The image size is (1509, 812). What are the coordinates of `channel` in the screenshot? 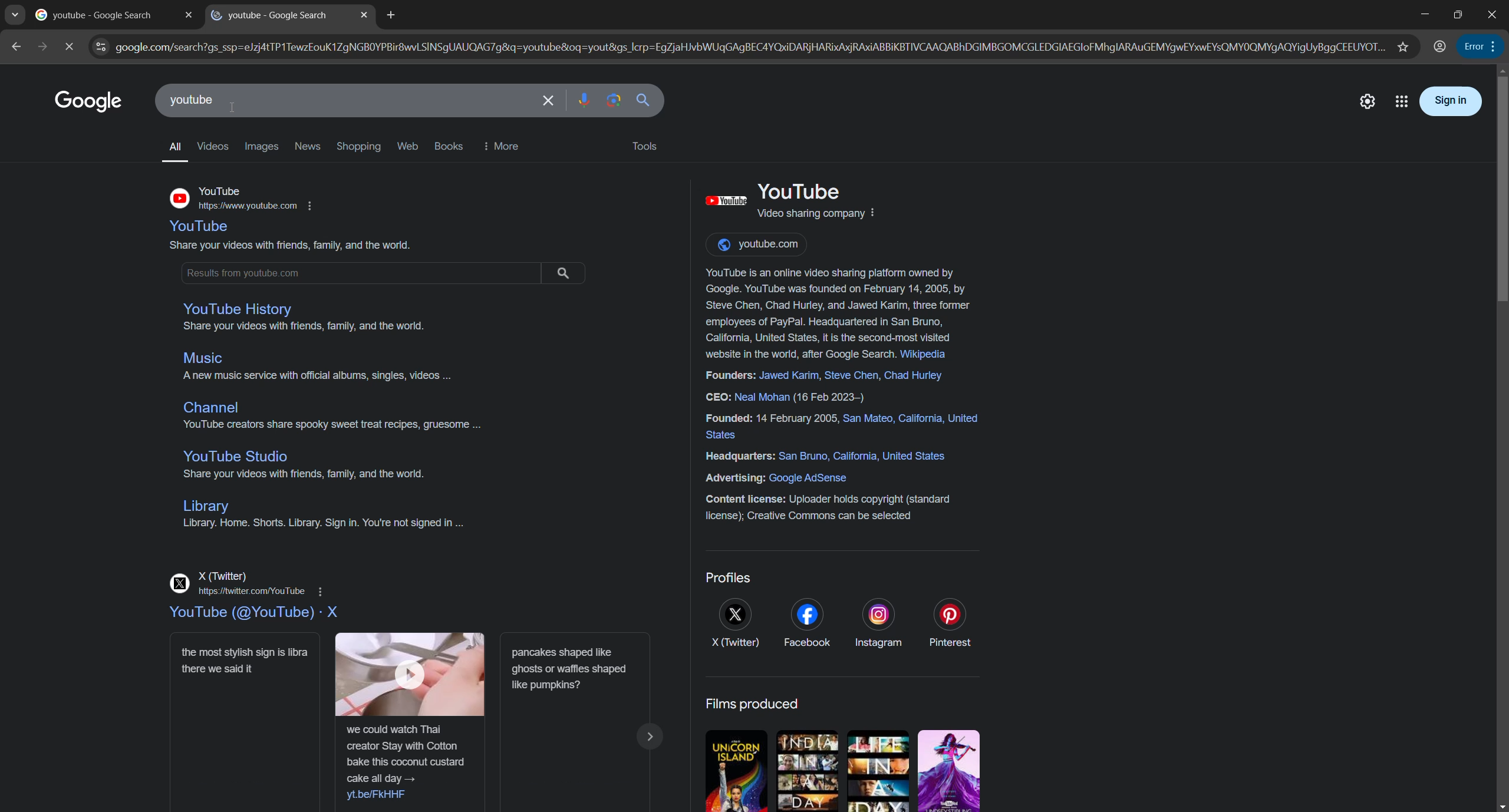 It's located at (213, 408).